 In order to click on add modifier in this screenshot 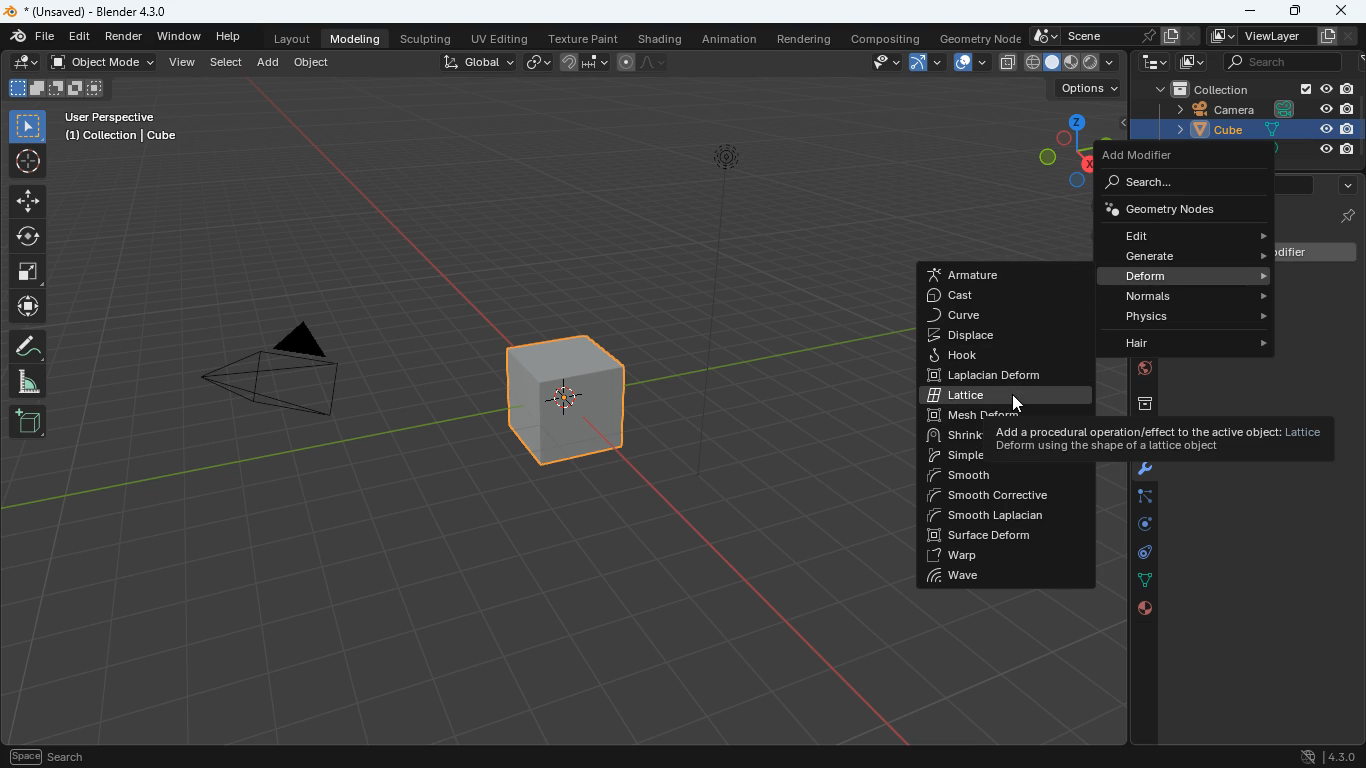, I will do `click(1169, 155)`.